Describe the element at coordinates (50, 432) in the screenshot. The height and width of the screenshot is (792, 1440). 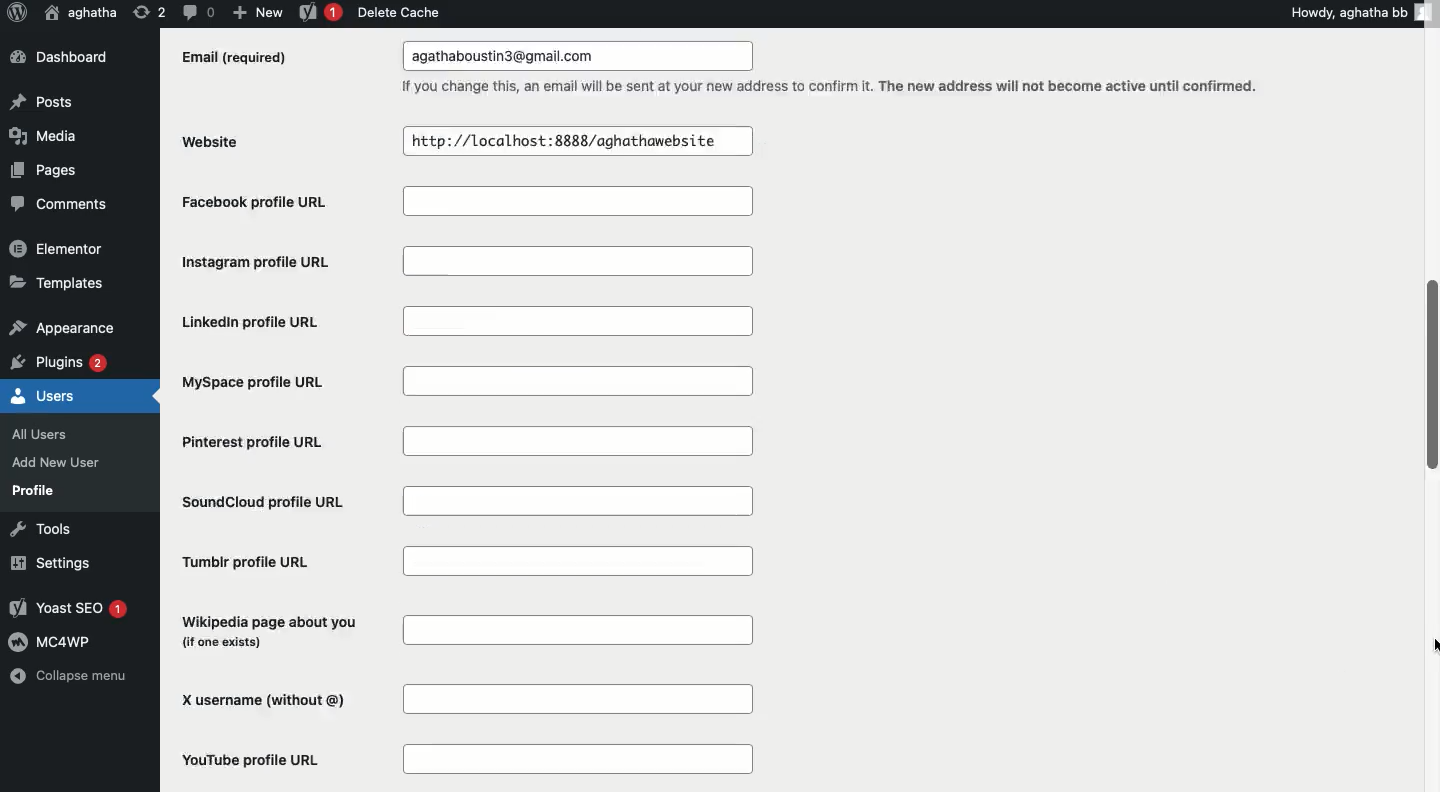
I see `All Users` at that location.